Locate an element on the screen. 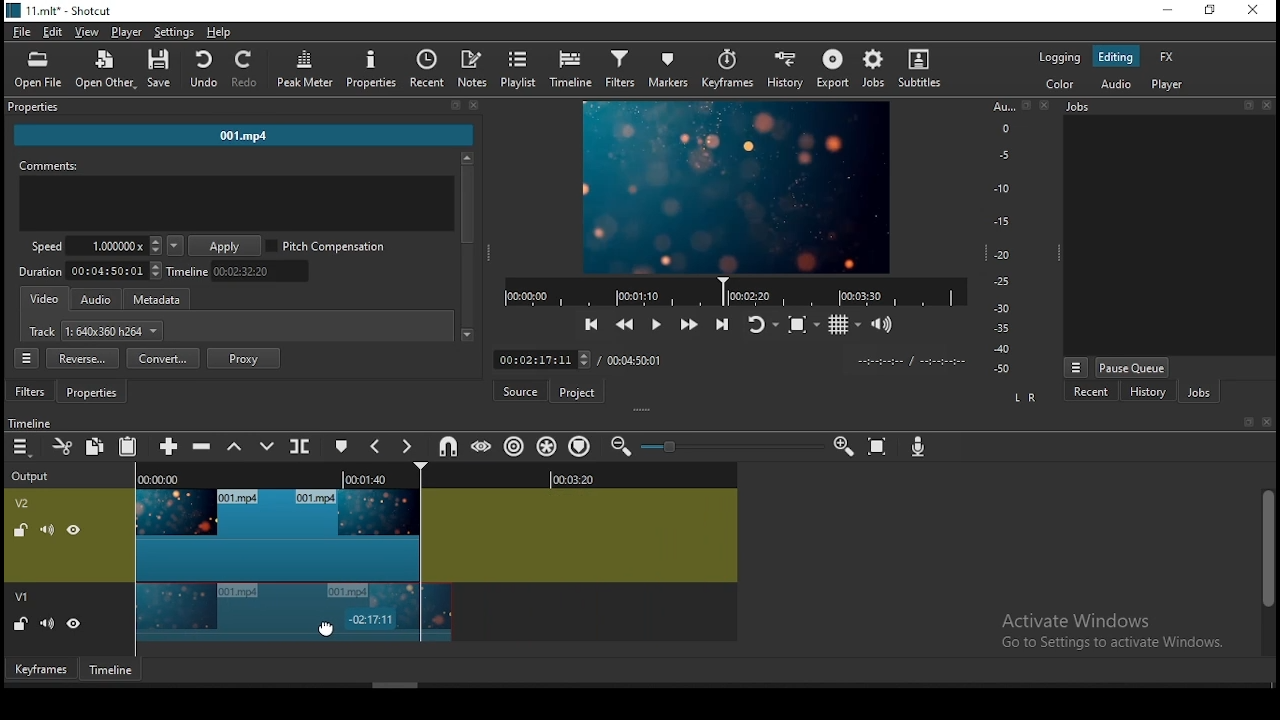 This screenshot has height=720, width=1280. properties menu is located at coordinates (29, 358).